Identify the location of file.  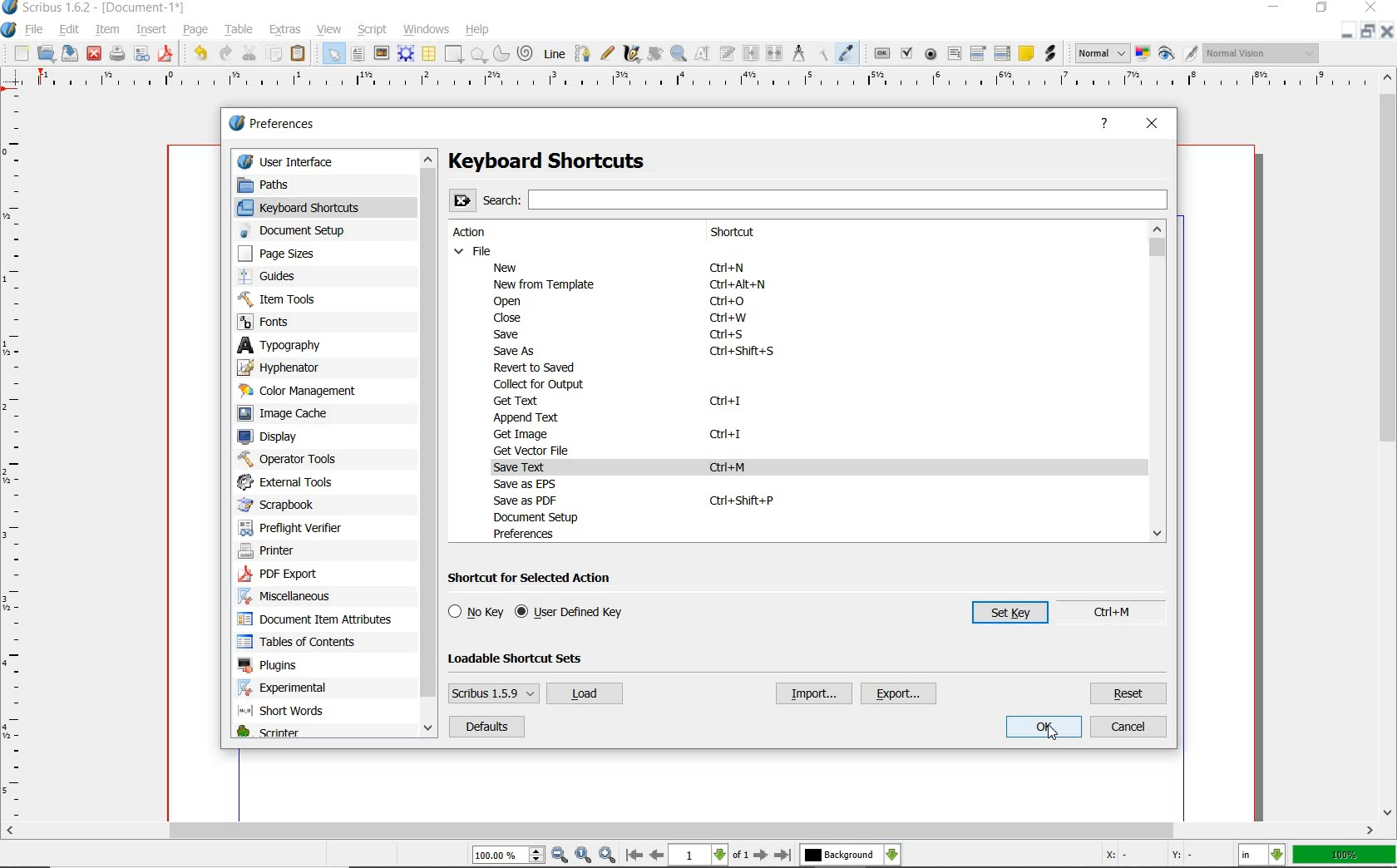
(38, 31).